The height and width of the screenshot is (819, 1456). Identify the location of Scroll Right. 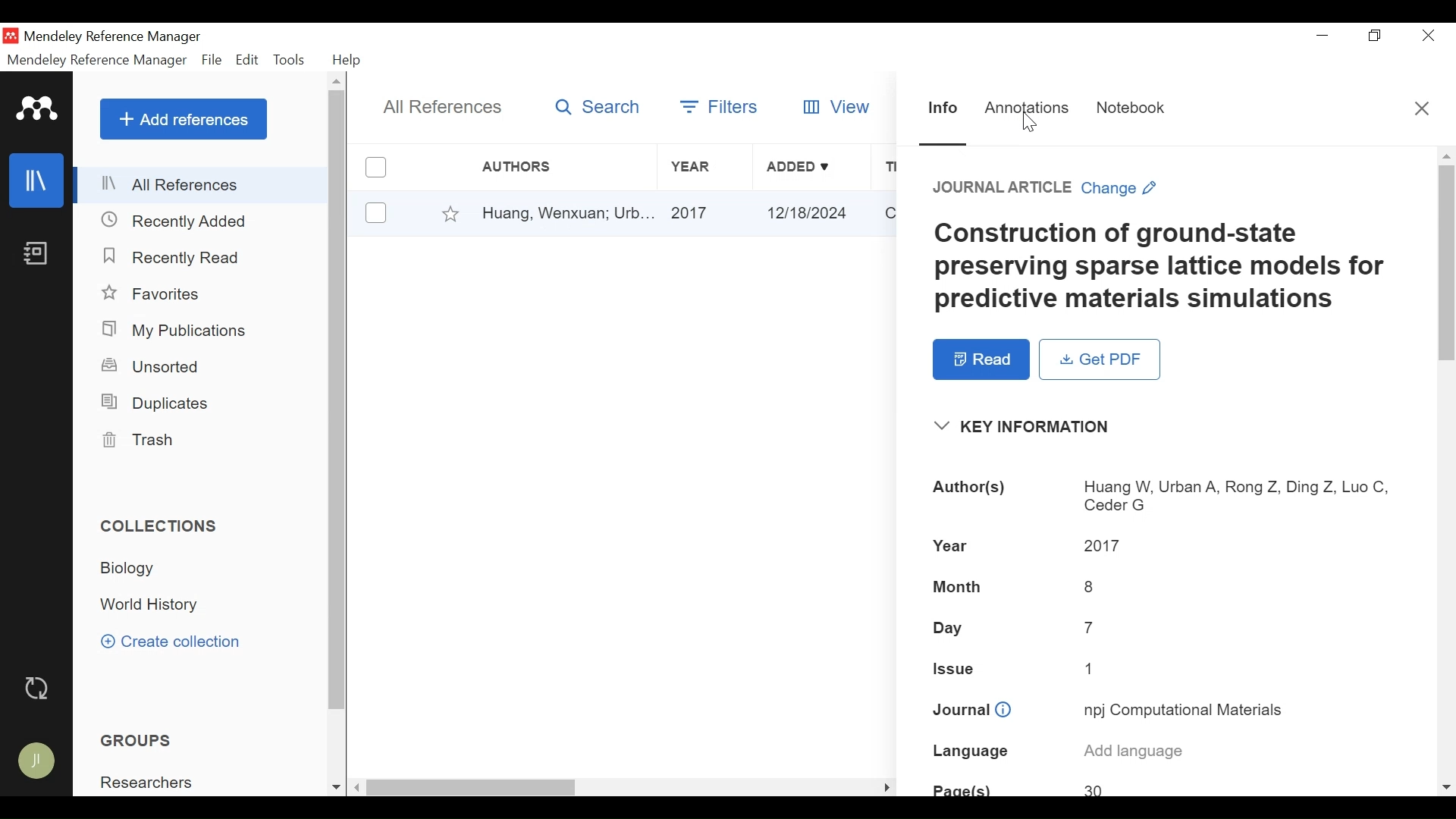
(883, 786).